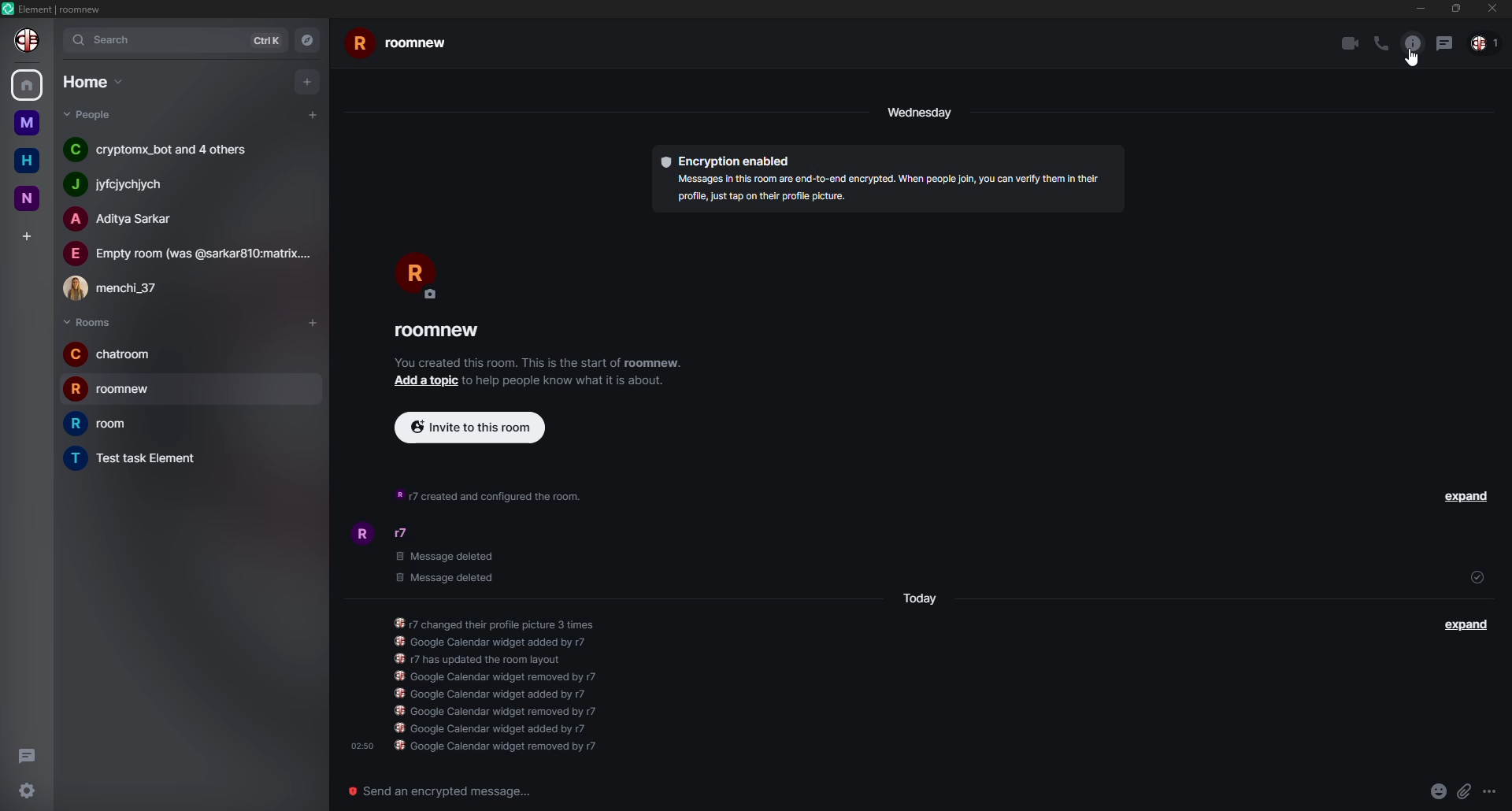 Image resolution: width=1512 pixels, height=811 pixels. I want to click on deleted, so click(446, 567).